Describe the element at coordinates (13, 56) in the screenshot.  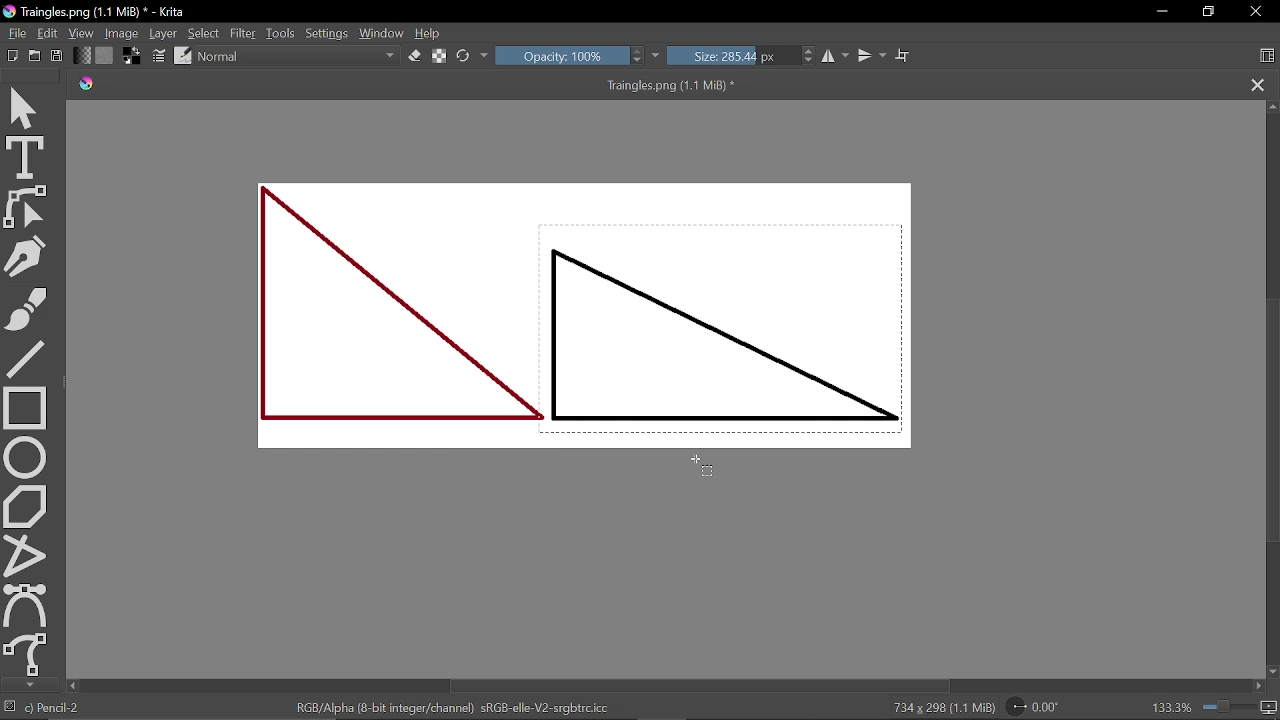
I see `Open new document` at that location.